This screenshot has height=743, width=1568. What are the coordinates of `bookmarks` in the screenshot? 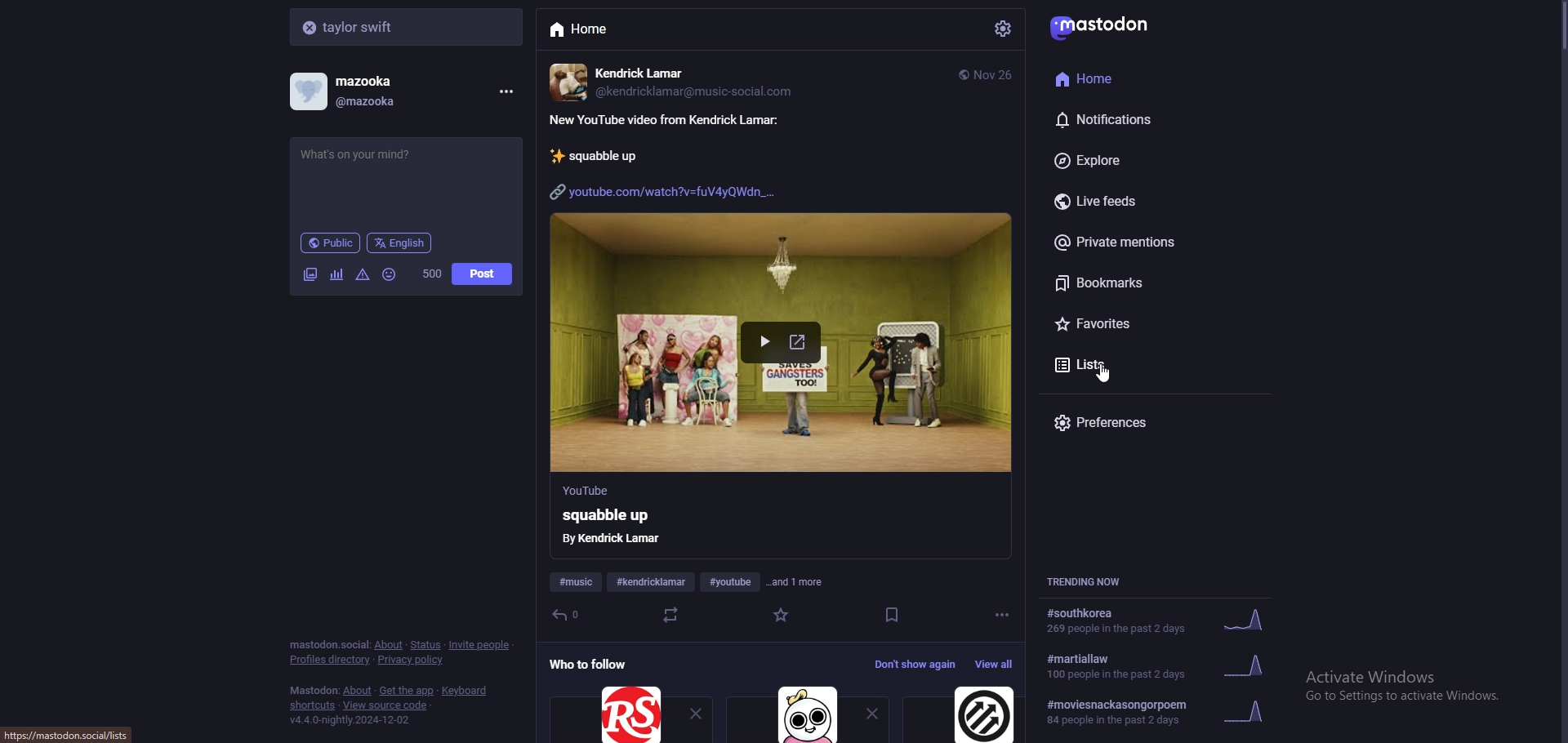 It's located at (1158, 283).